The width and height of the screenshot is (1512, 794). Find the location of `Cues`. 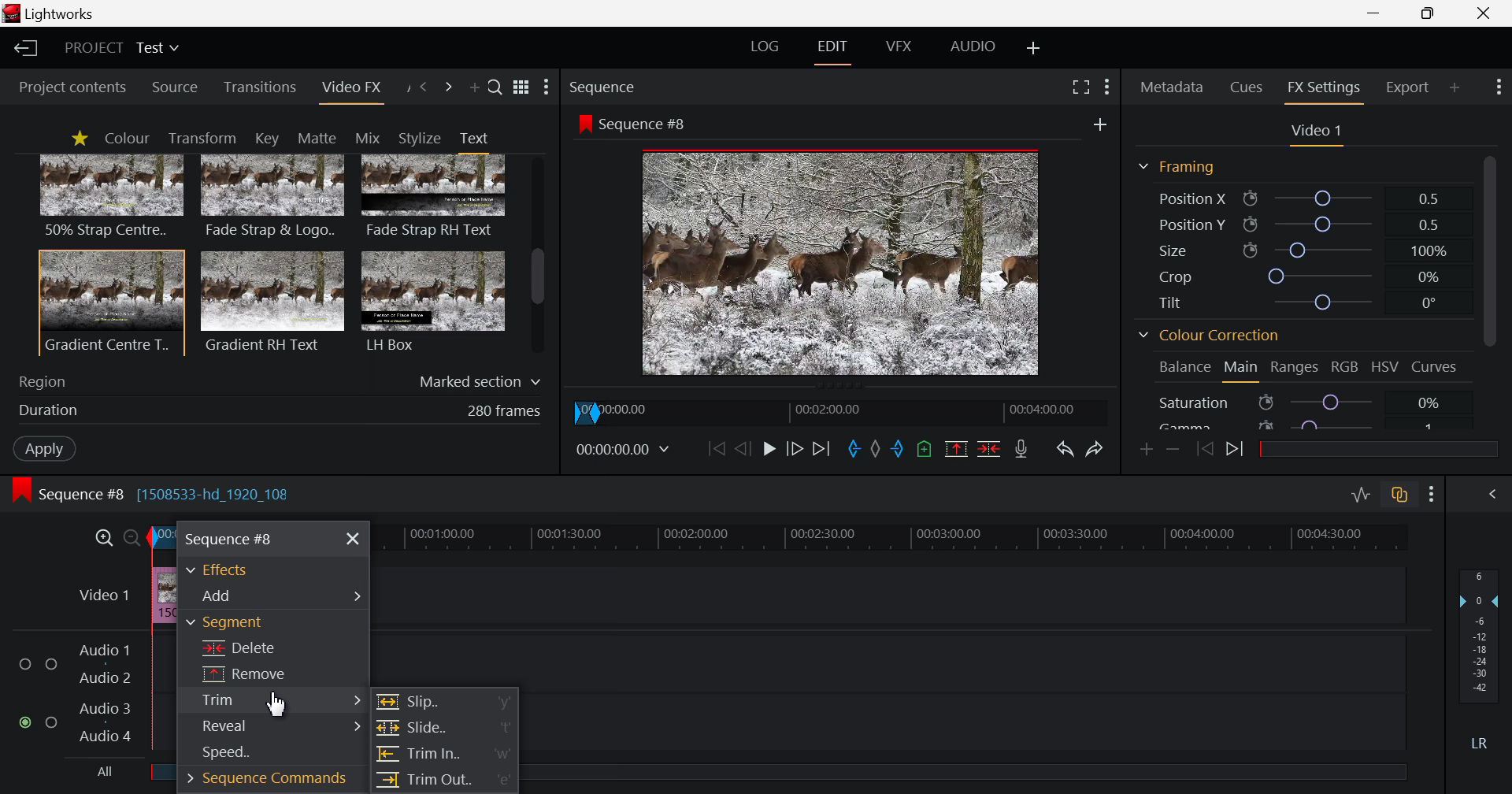

Cues is located at coordinates (1248, 86).